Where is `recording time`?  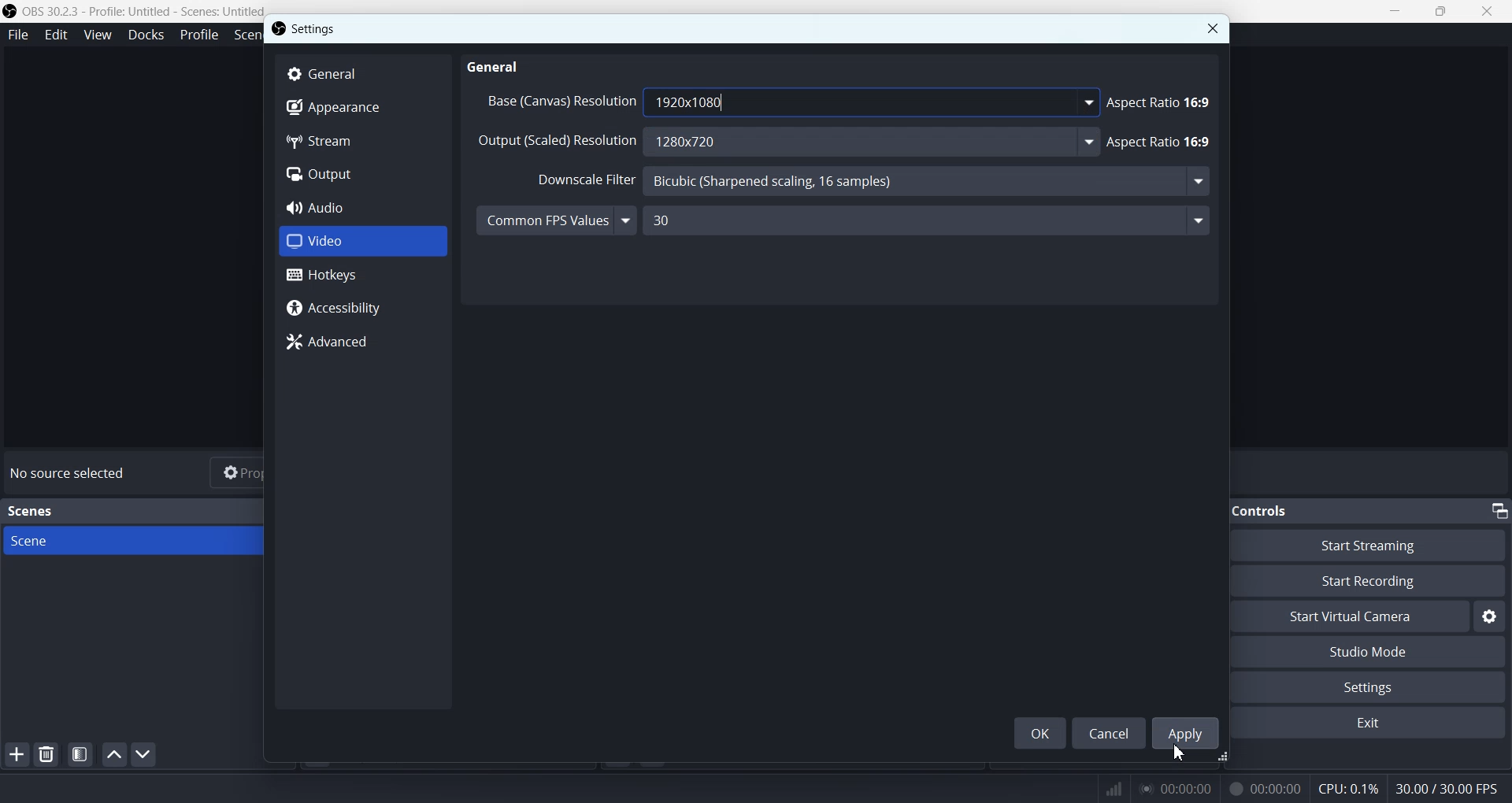 recording time is located at coordinates (1262, 788).